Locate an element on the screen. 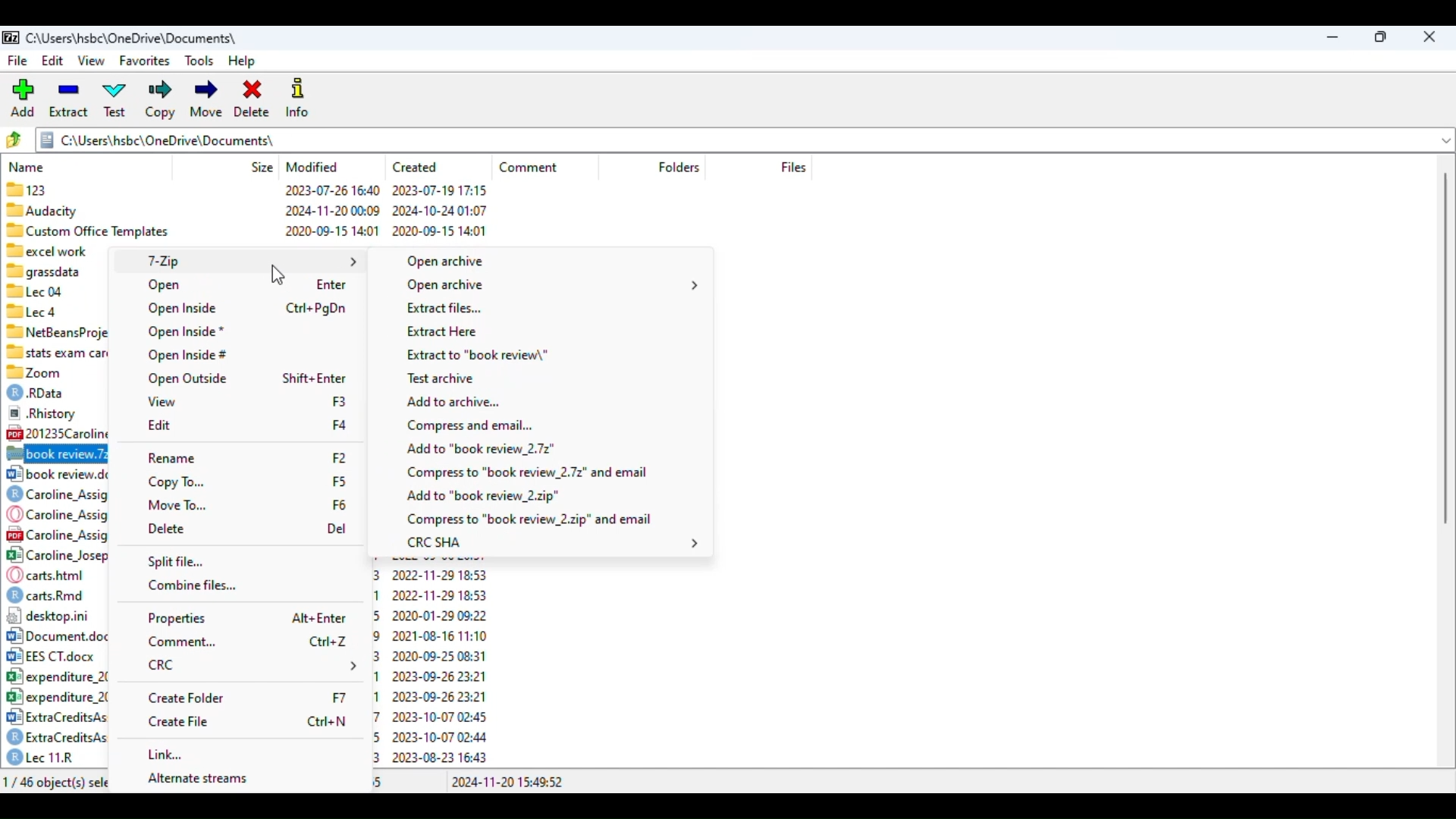 This screenshot has height=819, width=1456. scrollbar is located at coordinates (1447, 350).